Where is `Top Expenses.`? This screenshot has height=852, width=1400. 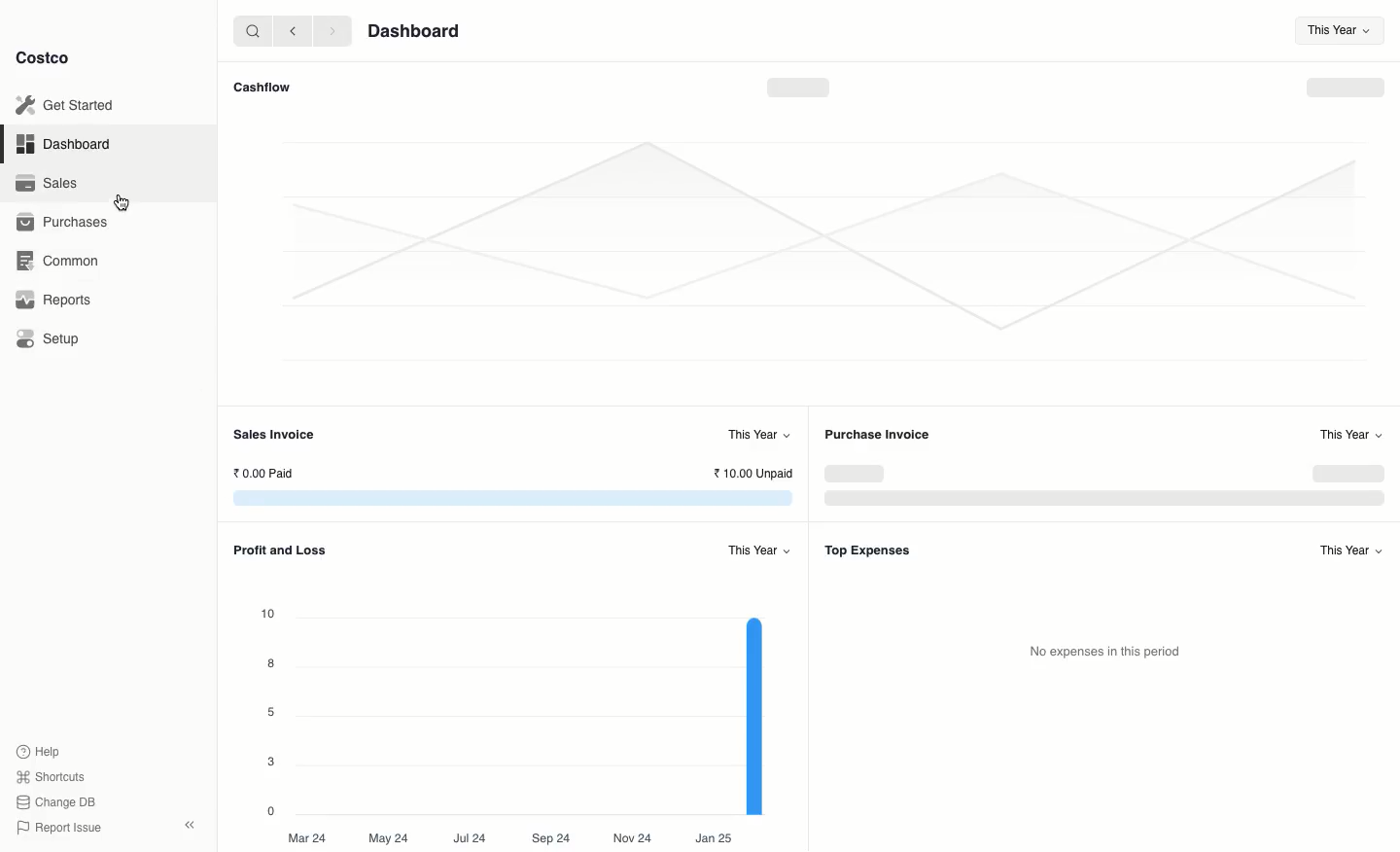
Top Expenses. is located at coordinates (870, 550).